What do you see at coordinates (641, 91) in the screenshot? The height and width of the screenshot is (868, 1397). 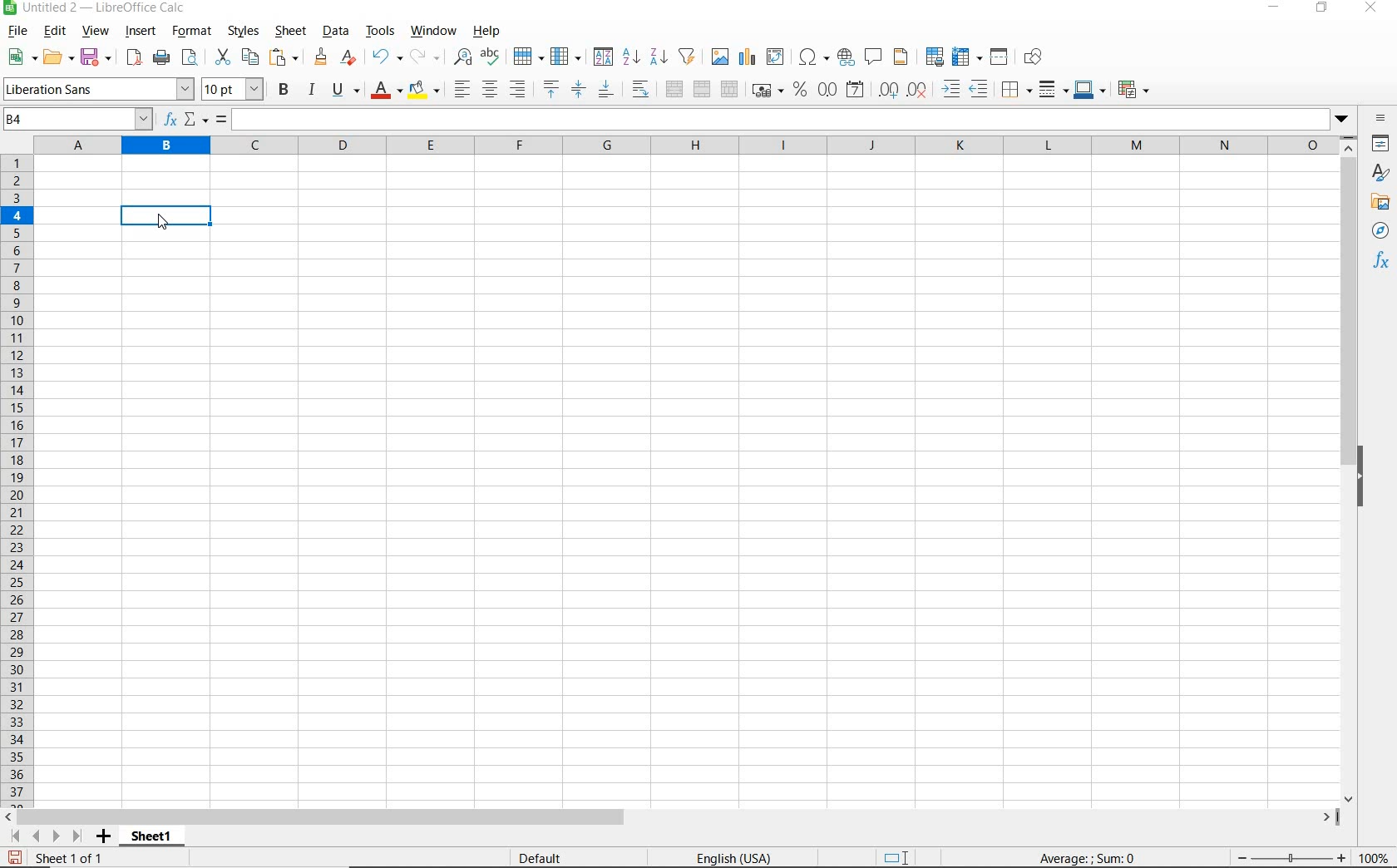 I see `wrap text` at bounding box center [641, 91].